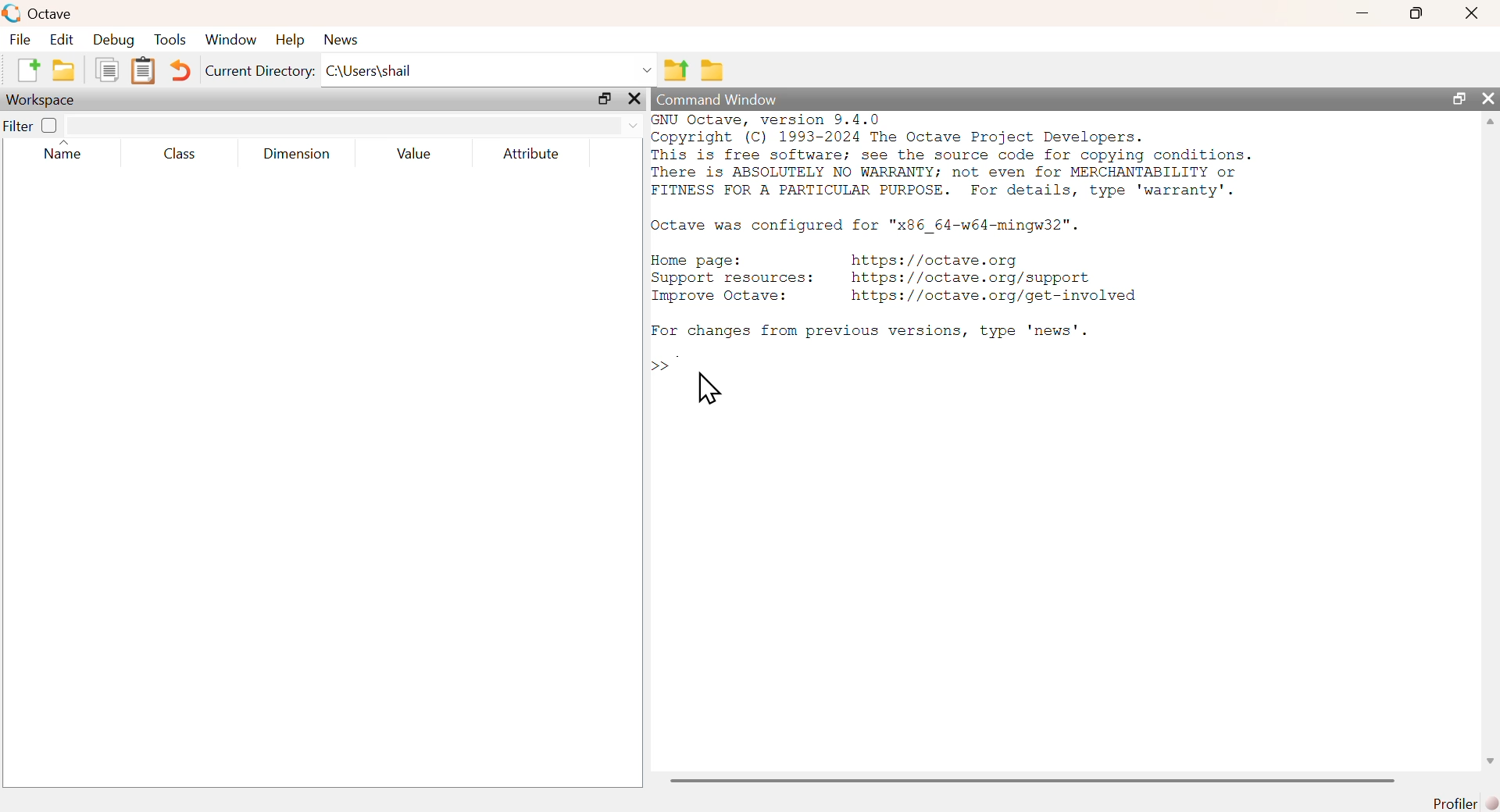 The height and width of the screenshot is (812, 1500). What do you see at coordinates (21, 40) in the screenshot?
I see `file` at bounding box center [21, 40].